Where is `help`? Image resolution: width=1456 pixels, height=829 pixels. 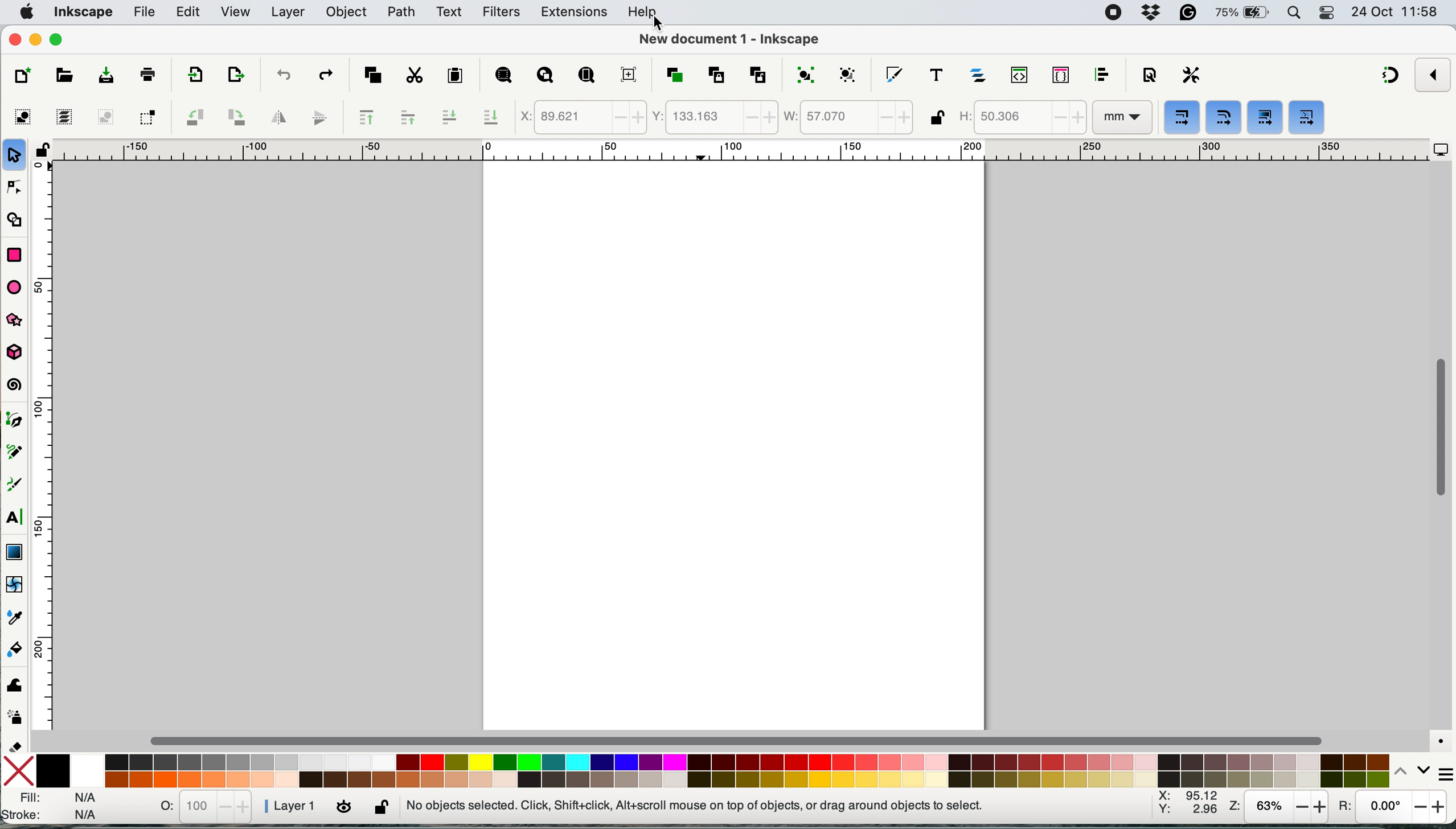 help is located at coordinates (644, 10).